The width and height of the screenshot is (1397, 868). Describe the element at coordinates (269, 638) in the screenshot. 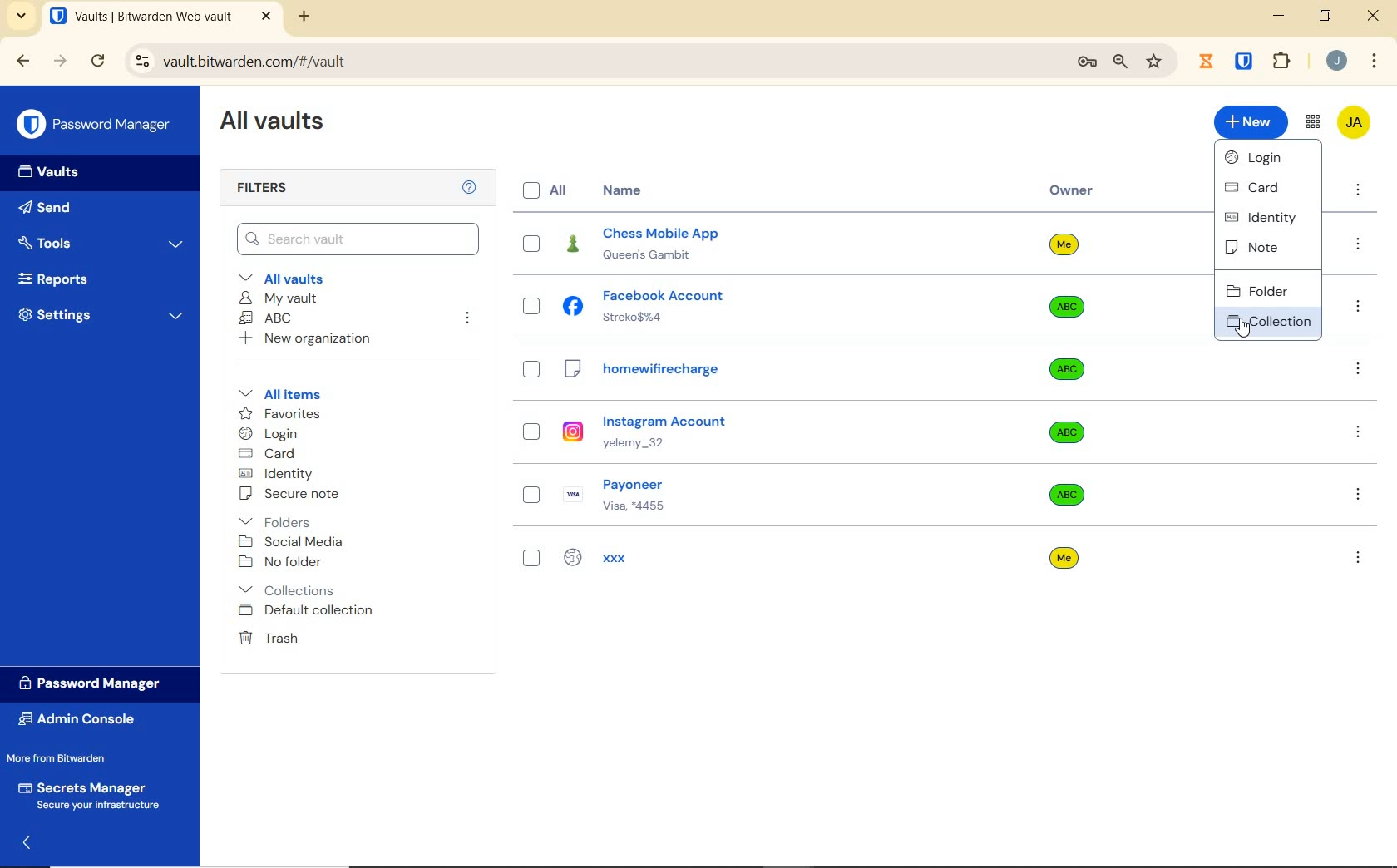

I see `Trash` at that location.